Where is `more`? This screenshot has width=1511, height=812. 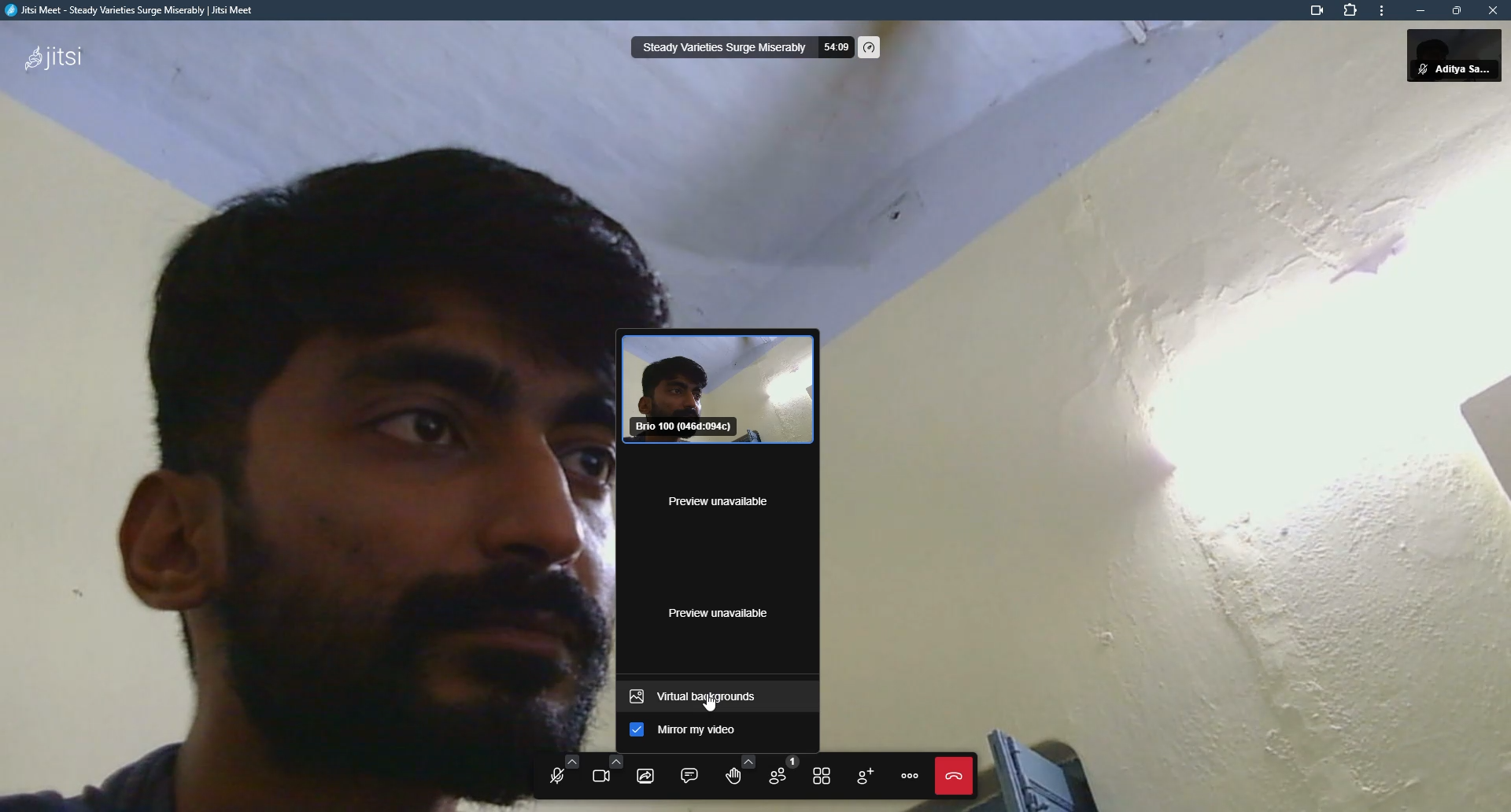
more is located at coordinates (1381, 13).